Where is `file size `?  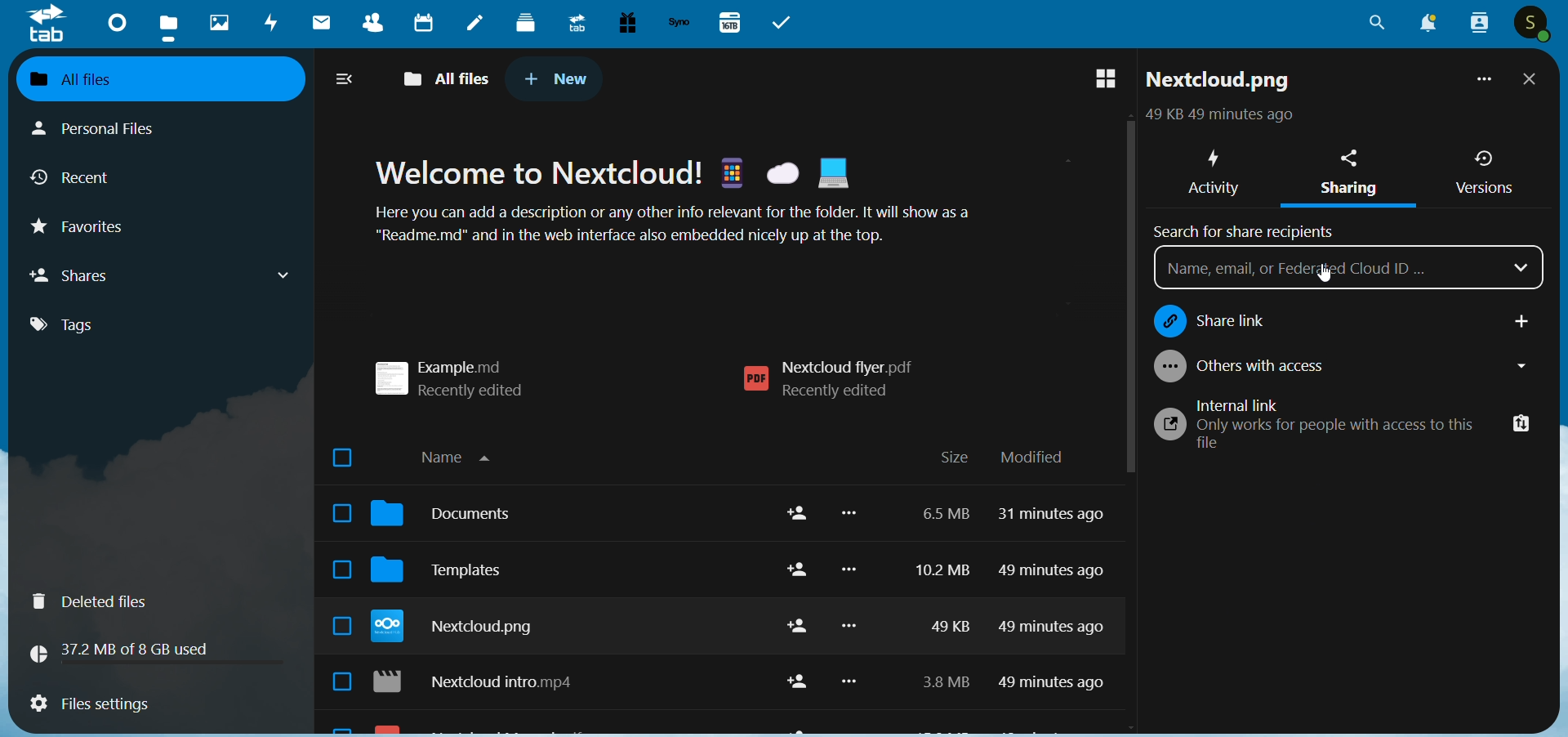 file size  is located at coordinates (938, 603).